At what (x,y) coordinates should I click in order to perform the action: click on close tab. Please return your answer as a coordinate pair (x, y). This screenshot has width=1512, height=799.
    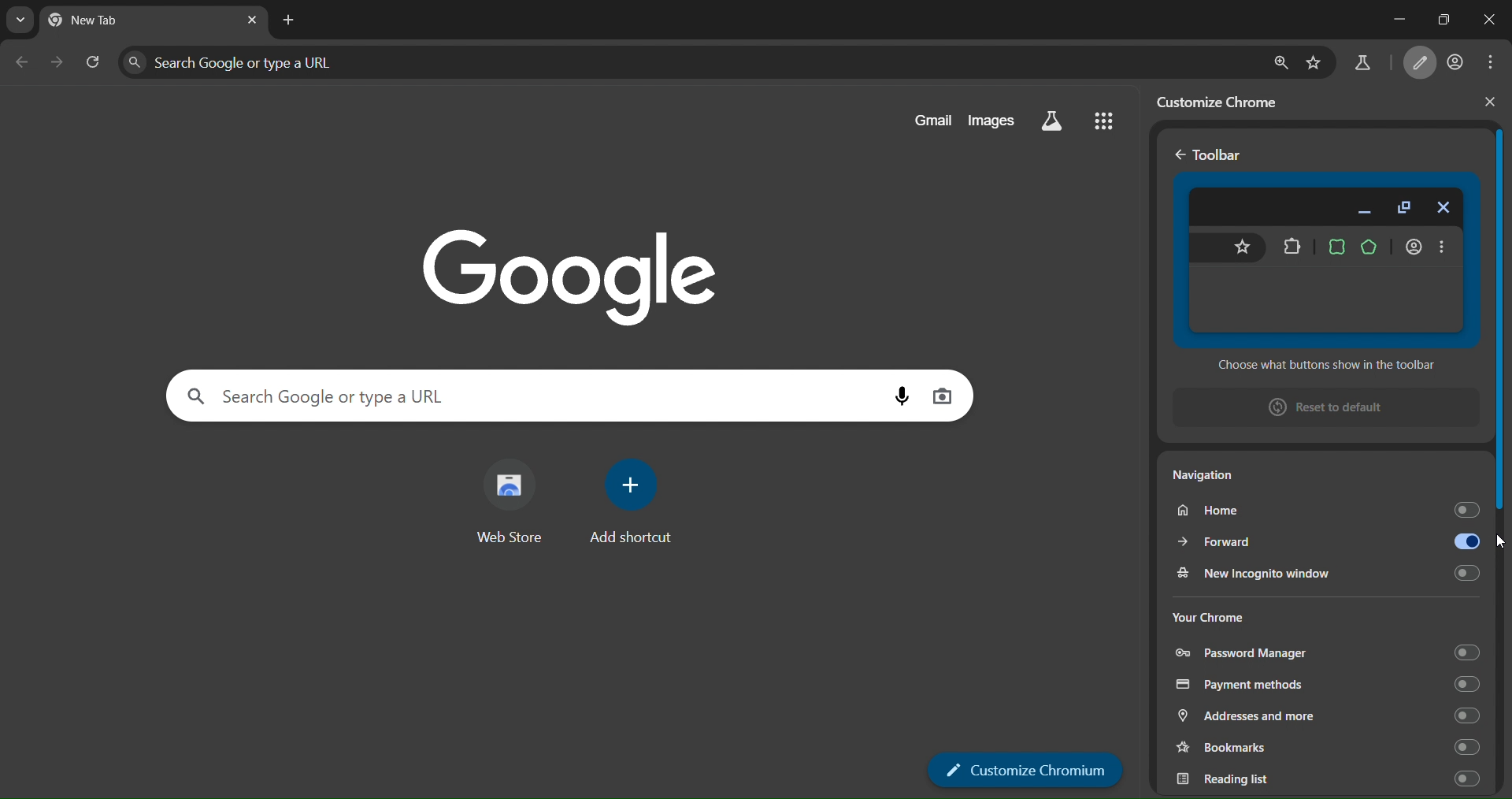
    Looking at the image, I should click on (251, 20).